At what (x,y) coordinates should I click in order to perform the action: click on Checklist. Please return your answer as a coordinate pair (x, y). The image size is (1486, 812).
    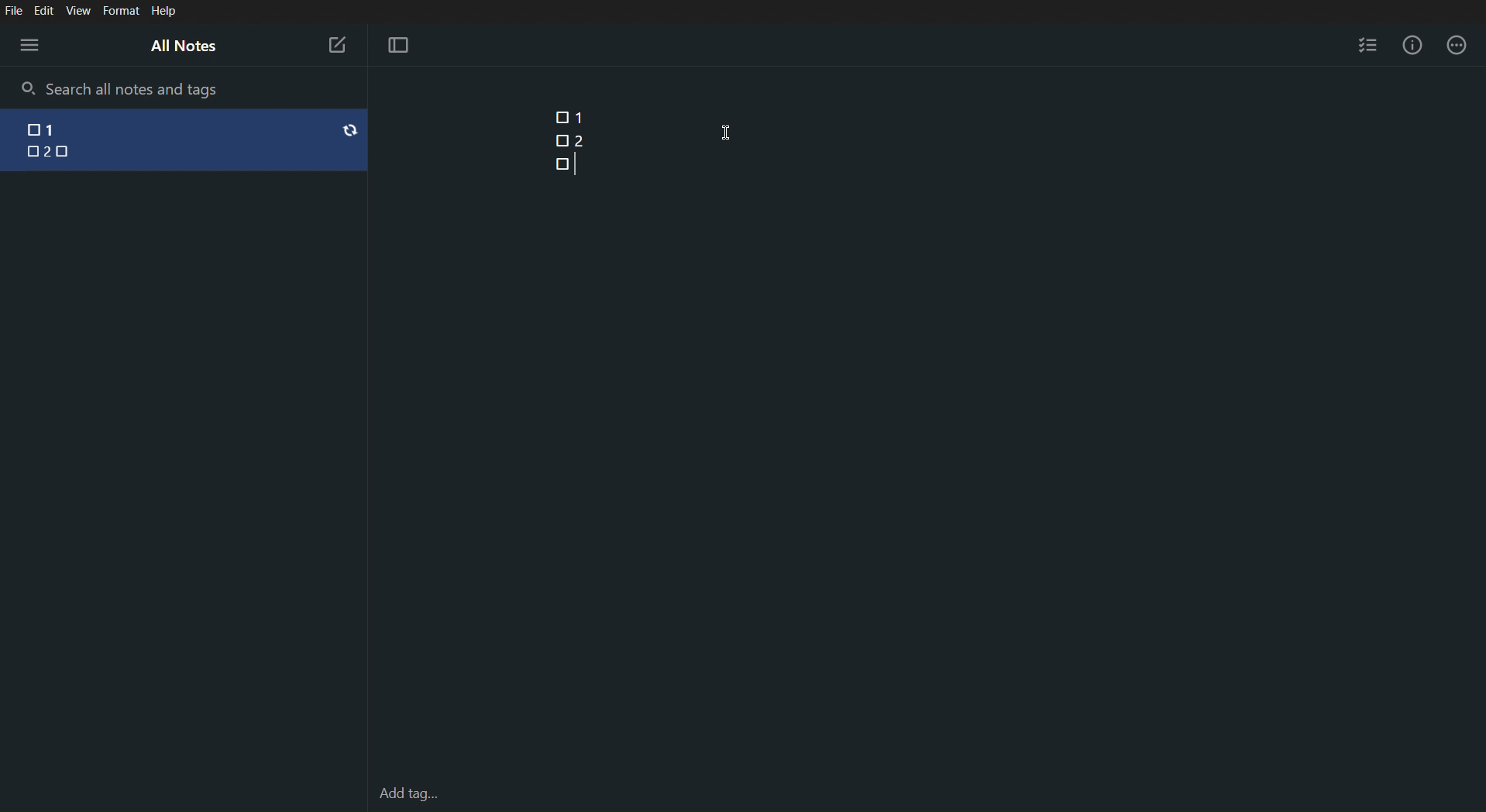
    Looking at the image, I should click on (1367, 43).